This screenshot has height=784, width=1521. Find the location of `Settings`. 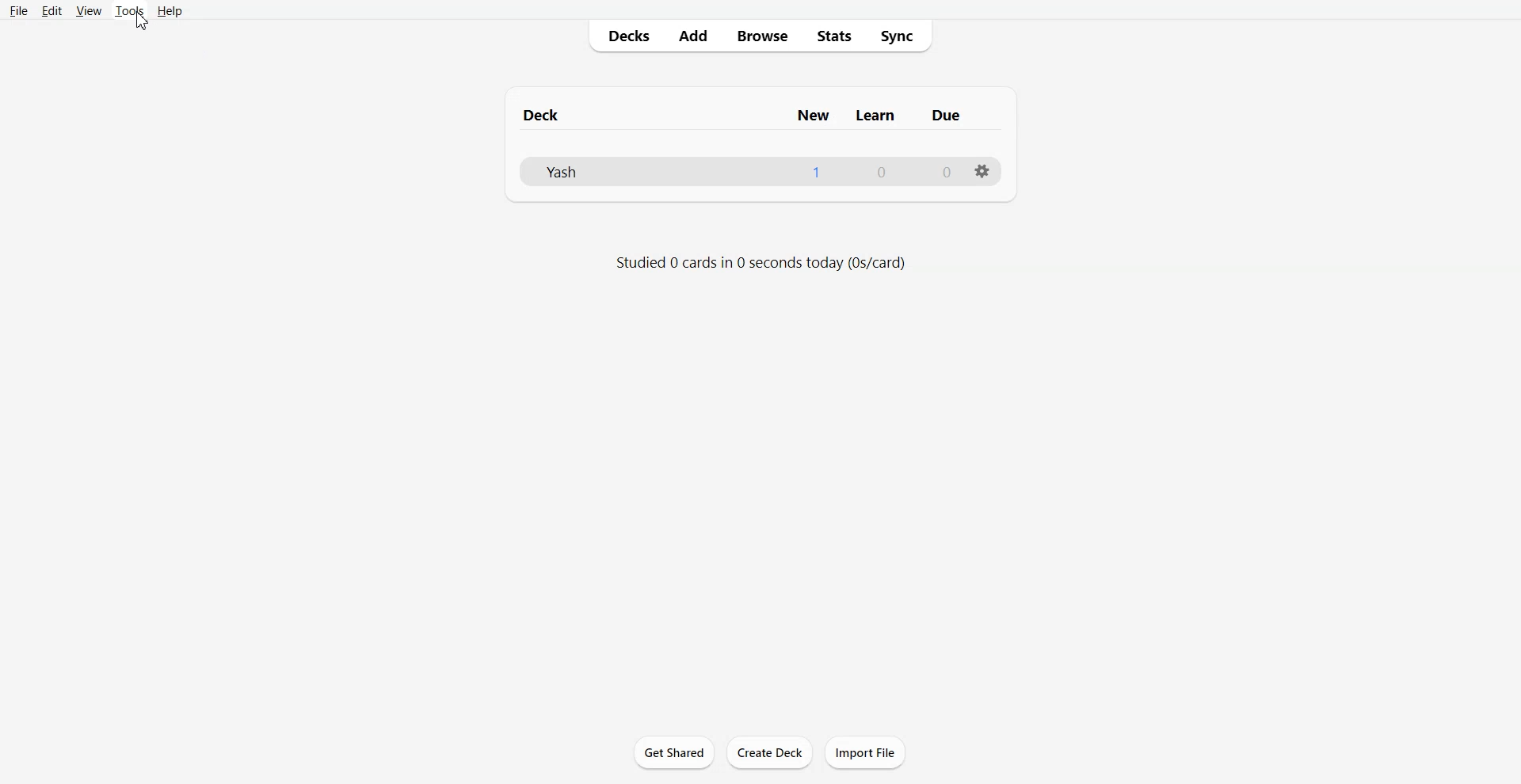

Settings is located at coordinates (980, 171).